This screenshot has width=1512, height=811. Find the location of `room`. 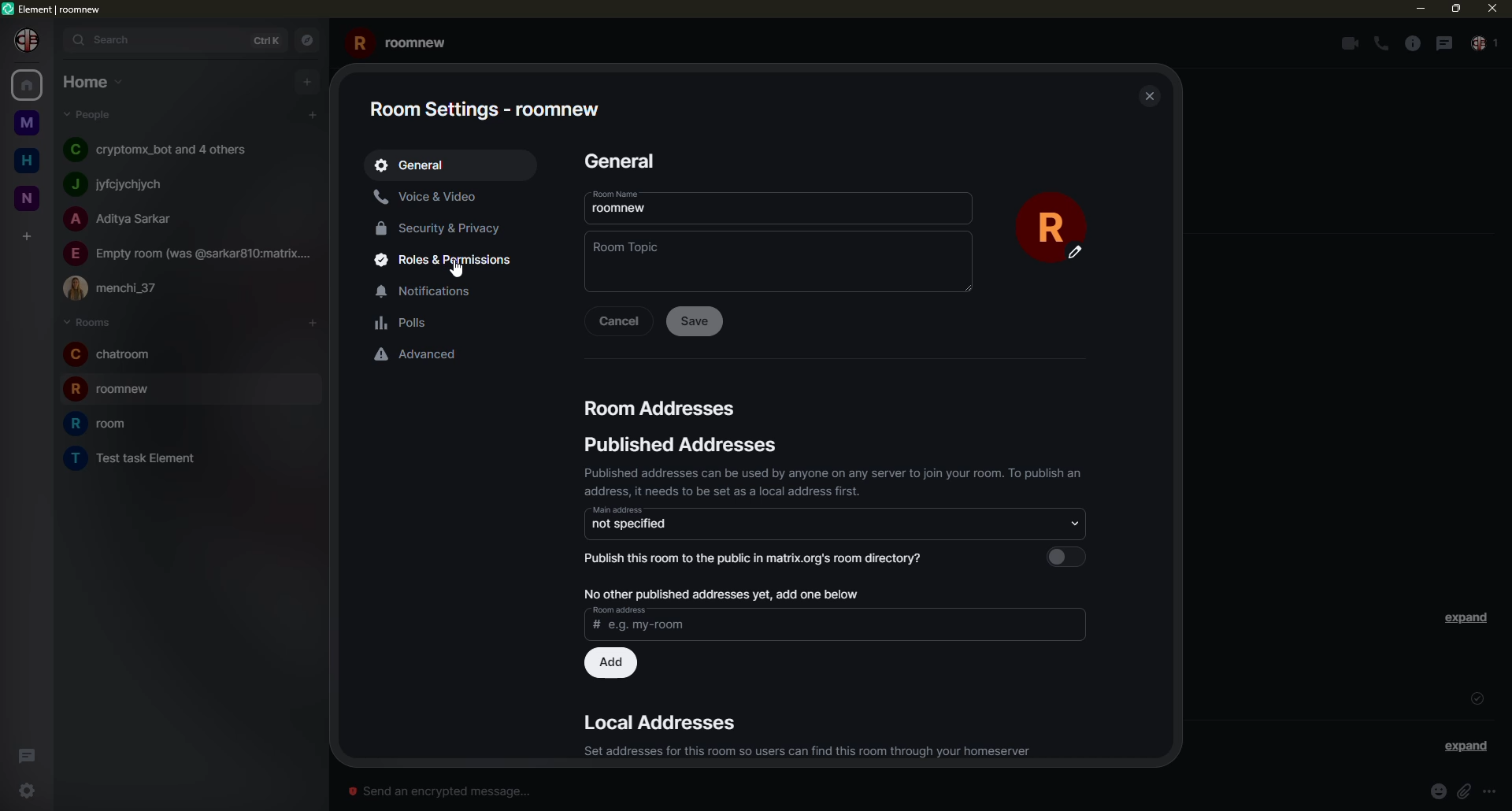

room is located at coordinates (112, 354).